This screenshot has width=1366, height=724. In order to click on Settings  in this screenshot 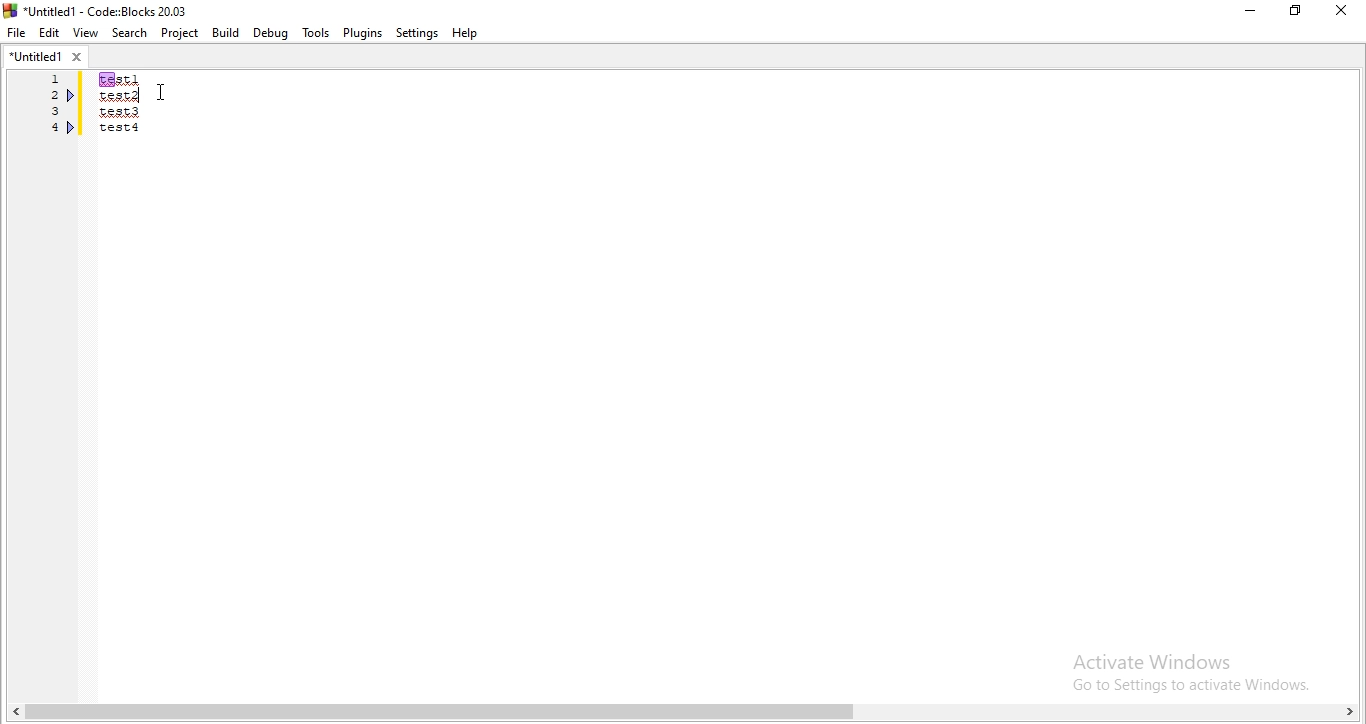, I will do `click(417, 34)`.